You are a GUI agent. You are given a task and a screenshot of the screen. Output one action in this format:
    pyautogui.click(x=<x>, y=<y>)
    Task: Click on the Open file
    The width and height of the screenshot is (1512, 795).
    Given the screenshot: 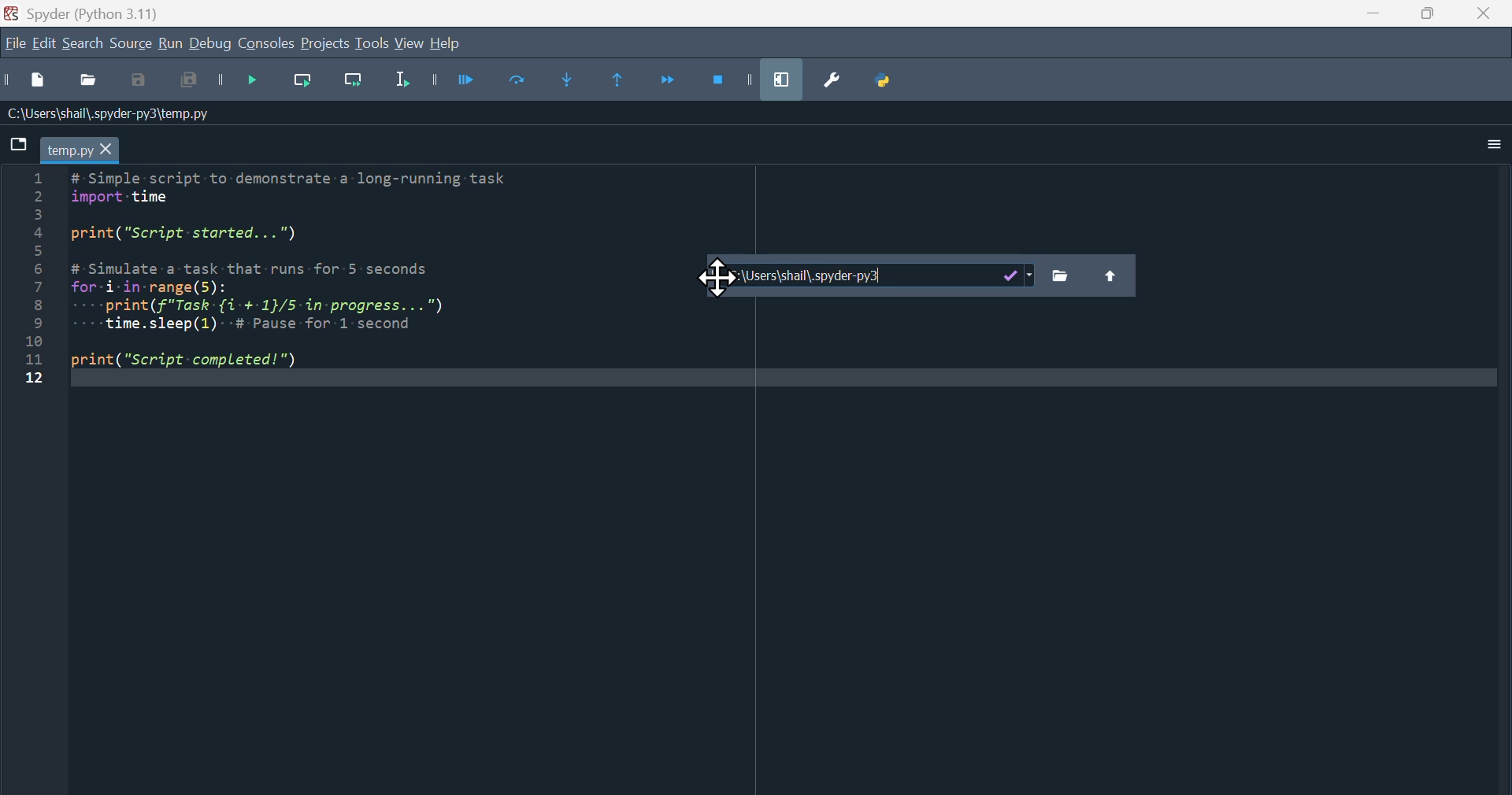 What is the action you would take?
    pyautogui.click(x=87, y=83)
    